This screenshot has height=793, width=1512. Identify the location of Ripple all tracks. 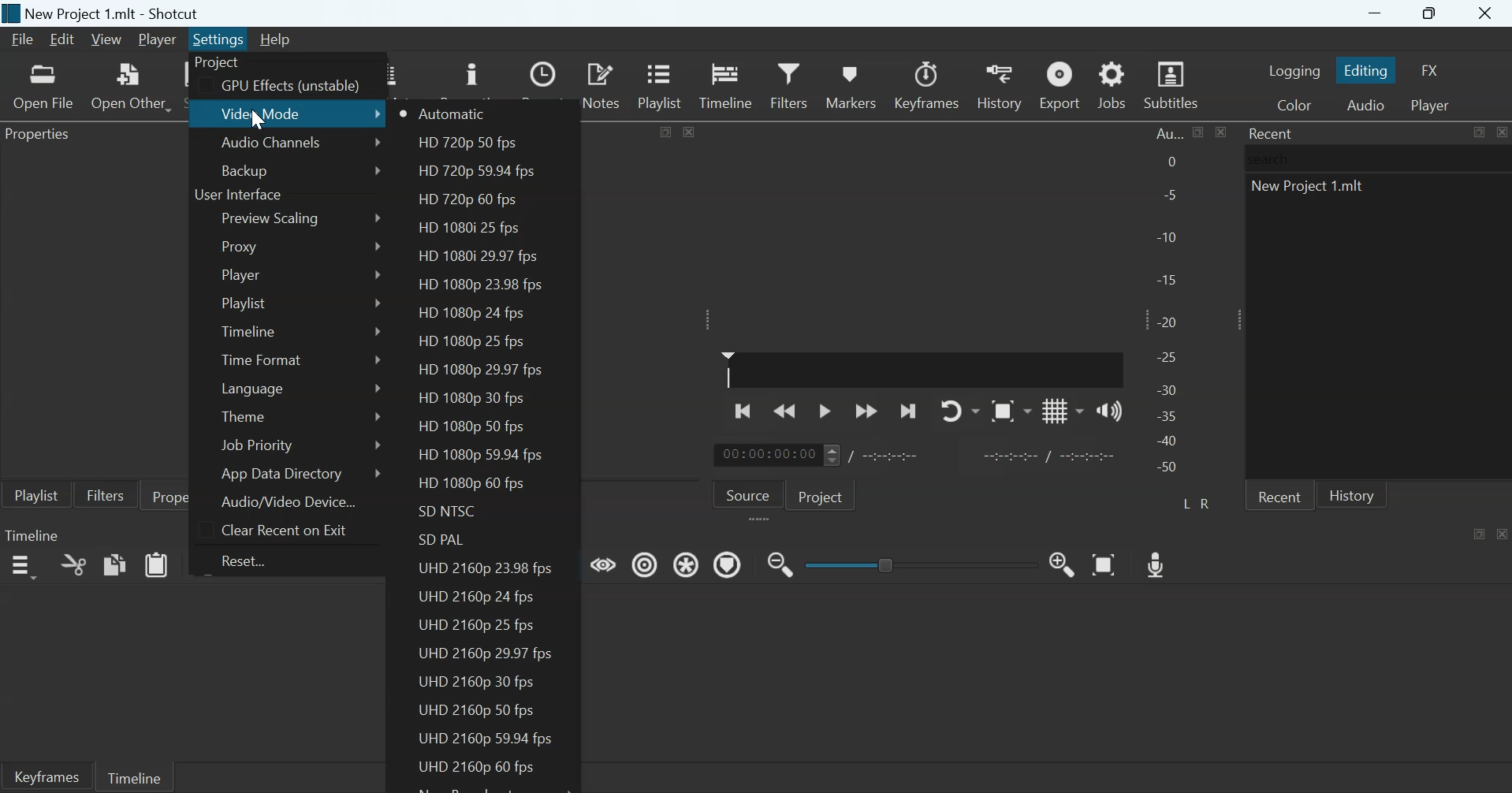
(688, 563).